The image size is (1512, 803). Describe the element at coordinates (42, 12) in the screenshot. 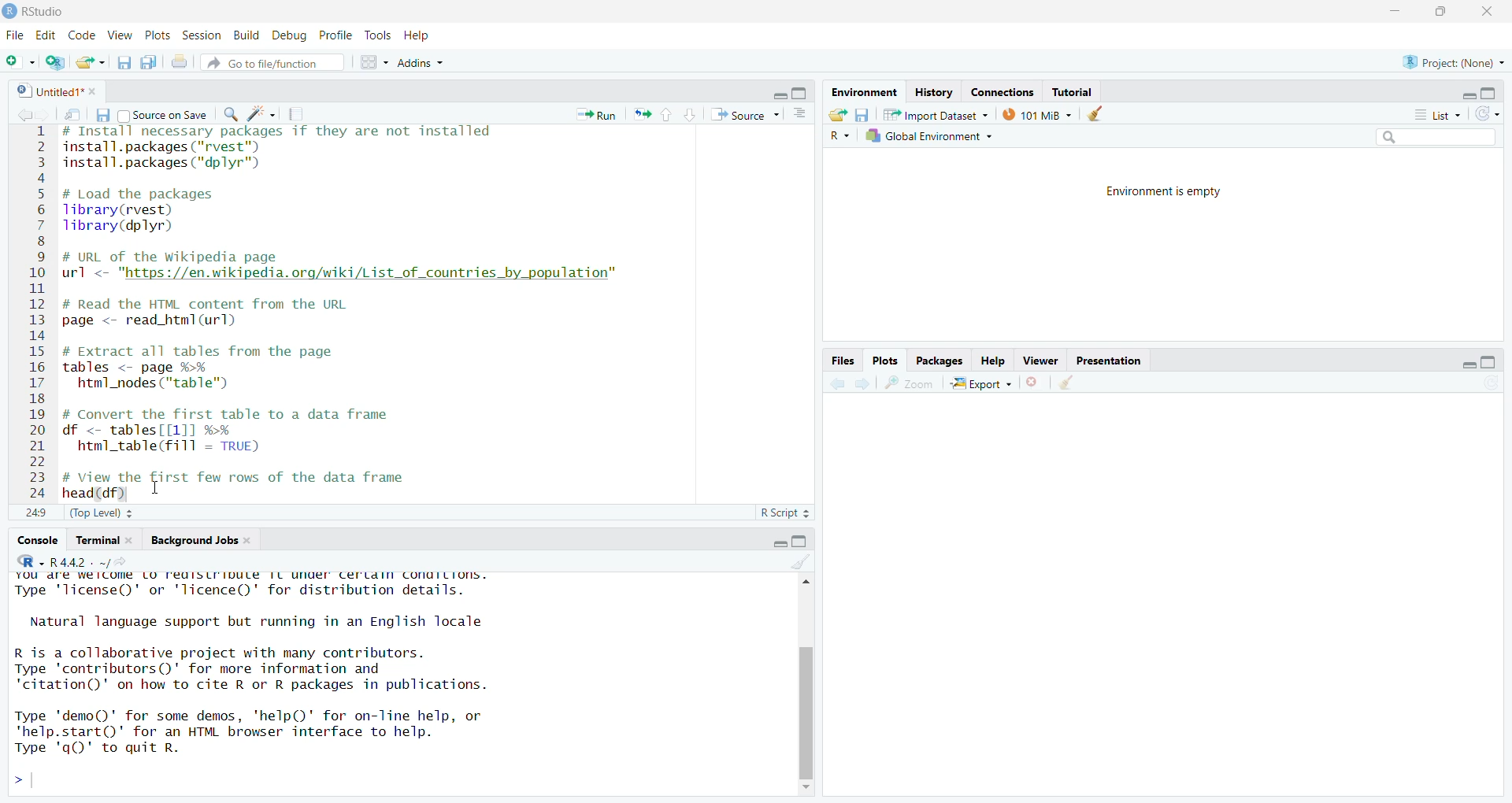

I see `RStudio` at that location.